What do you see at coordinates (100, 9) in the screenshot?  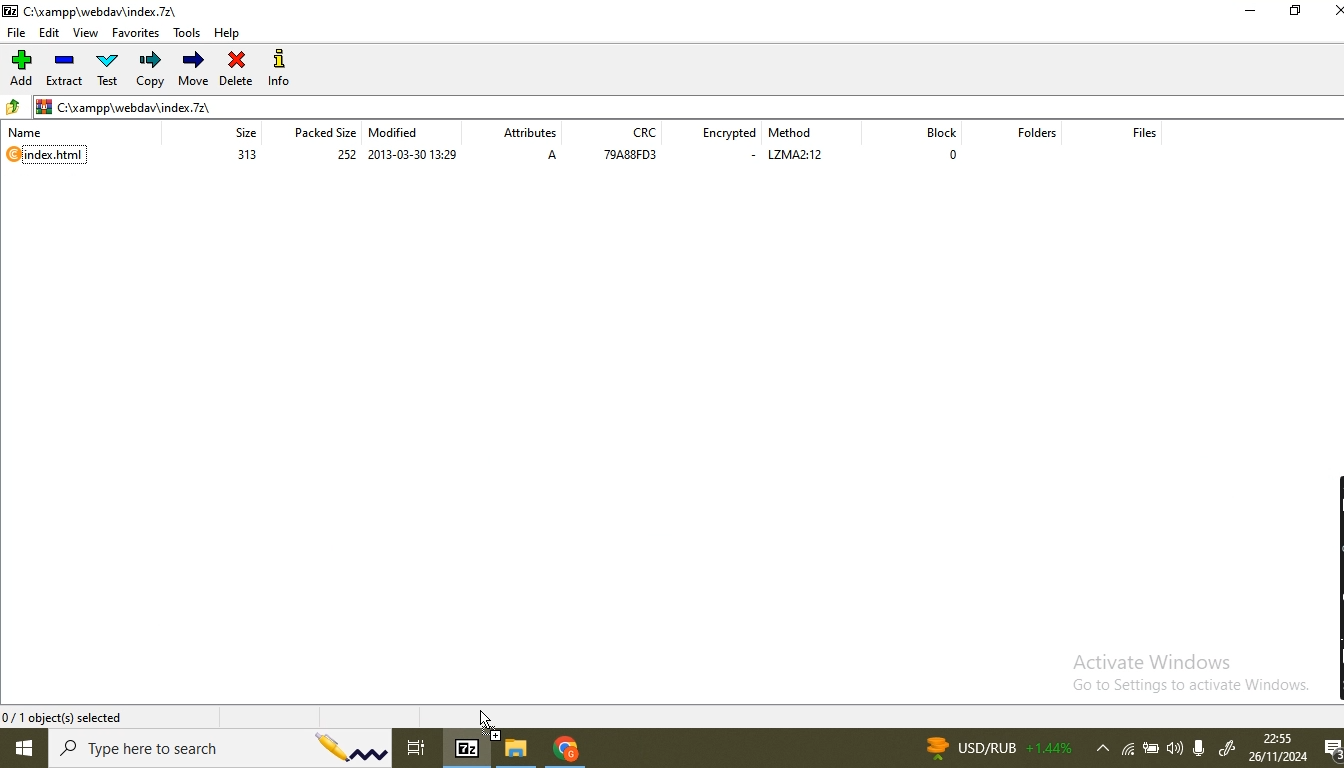 I see `C:\xampp\webdawindex.72\` at bounding box center [100, 9].